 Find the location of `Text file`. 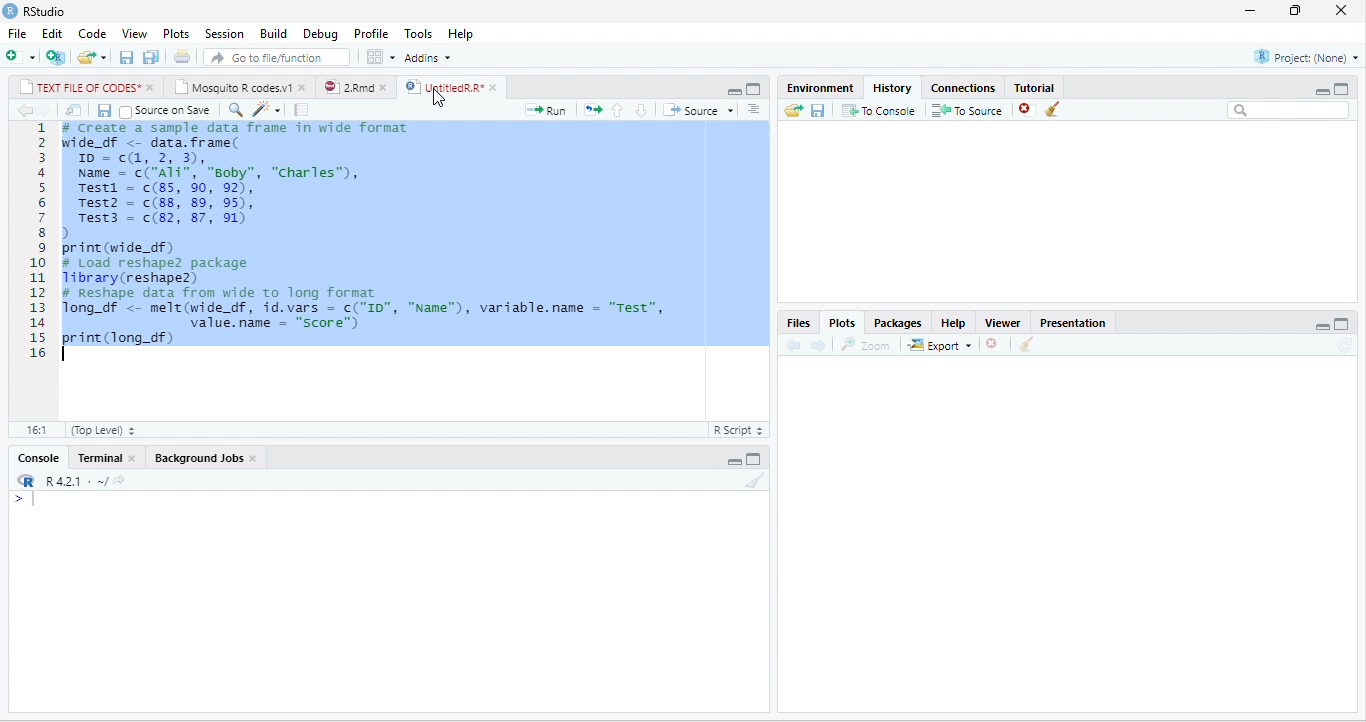

Text file is located at coordinates (737, 429).